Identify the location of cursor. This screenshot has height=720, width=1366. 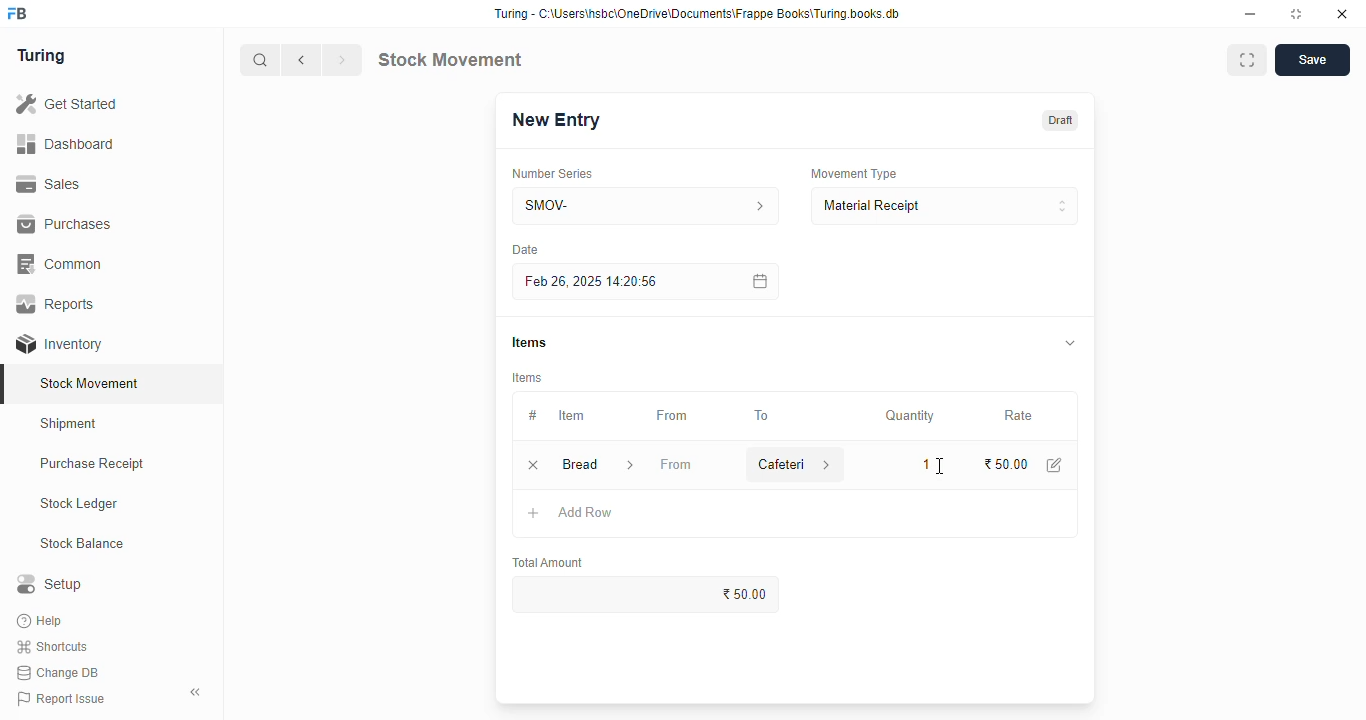
(939, 466).